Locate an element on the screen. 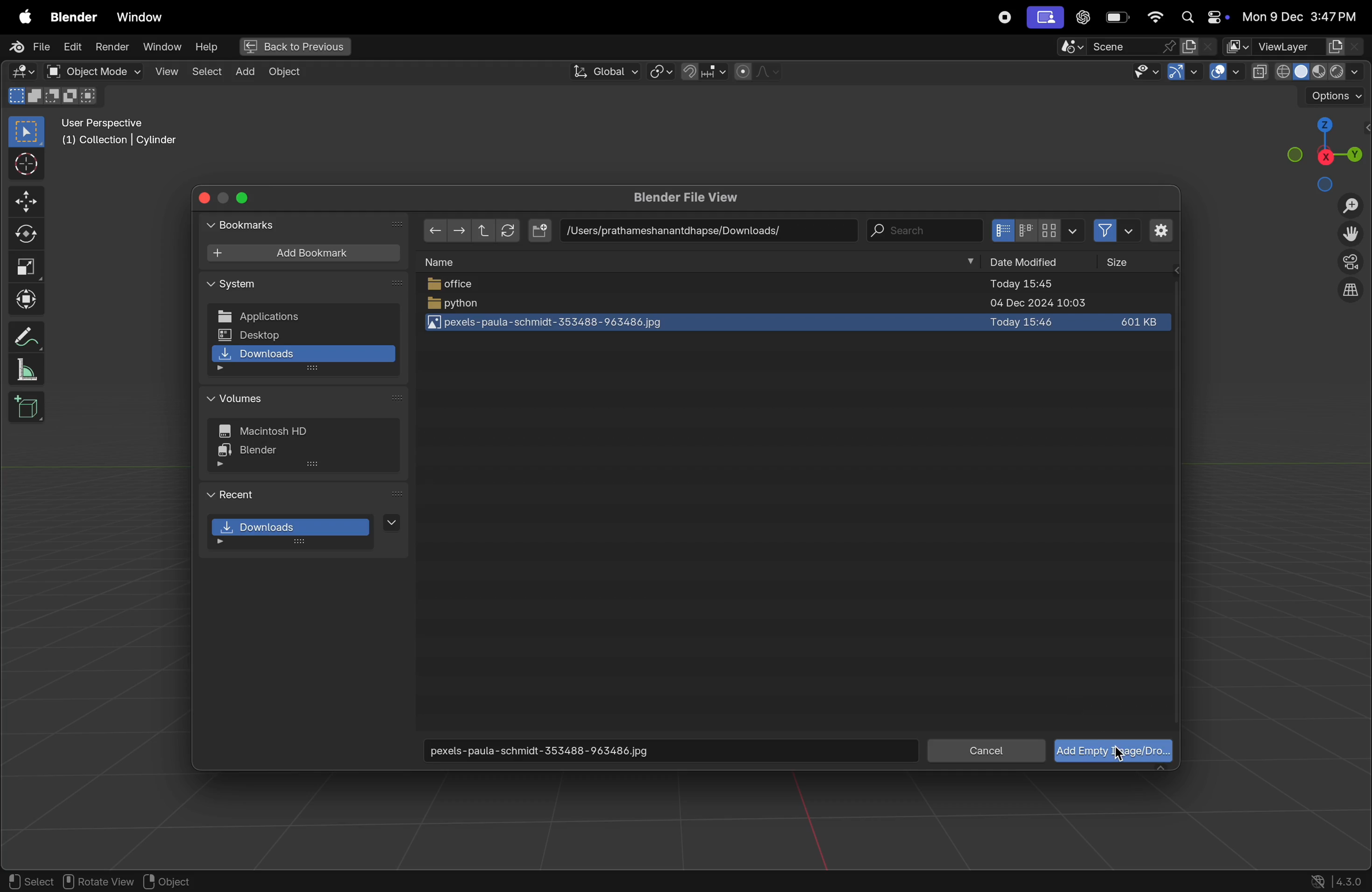  render is located at coordinates (112, 48).